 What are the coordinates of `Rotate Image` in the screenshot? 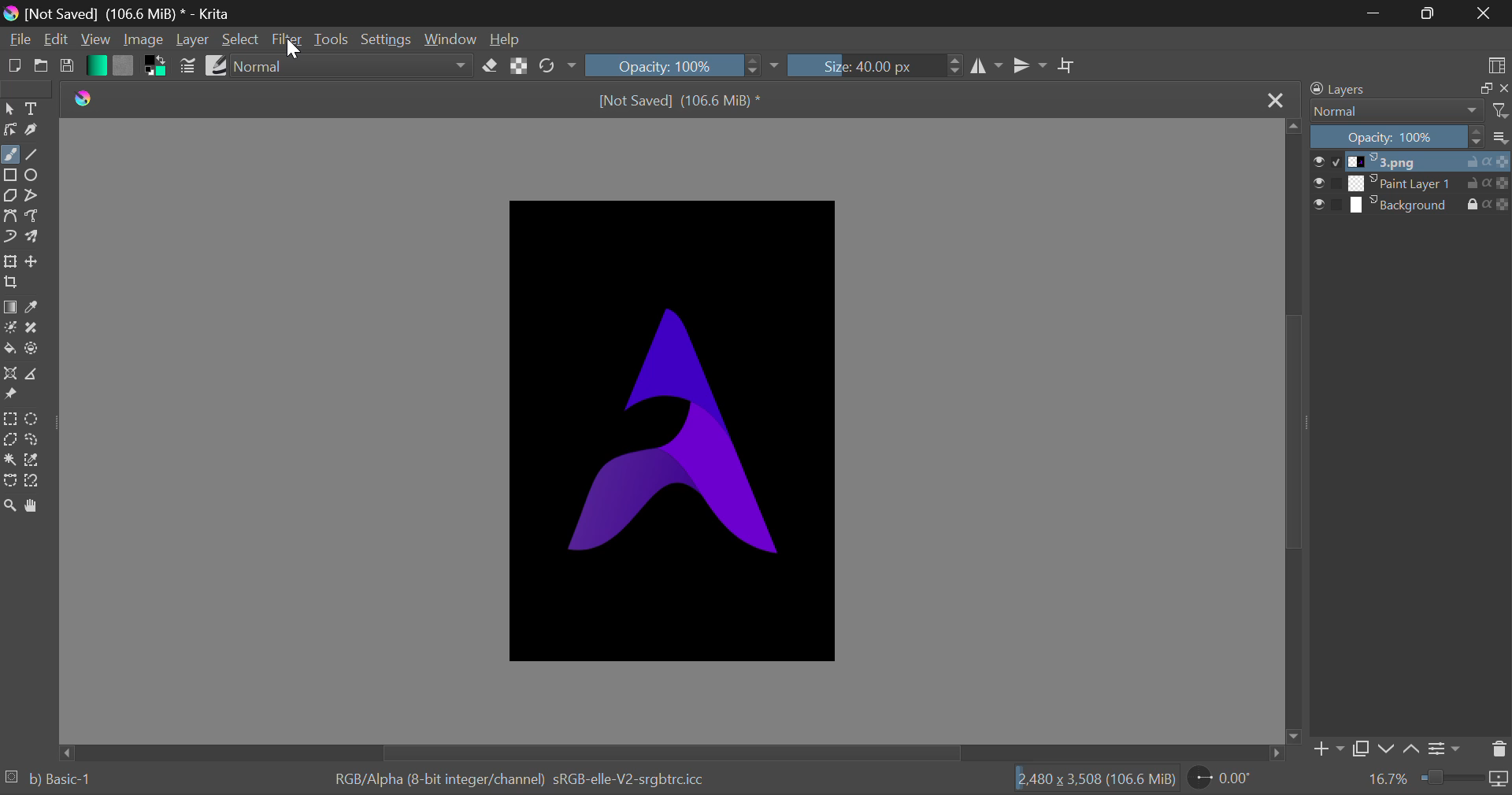 It's located at (559, 65).